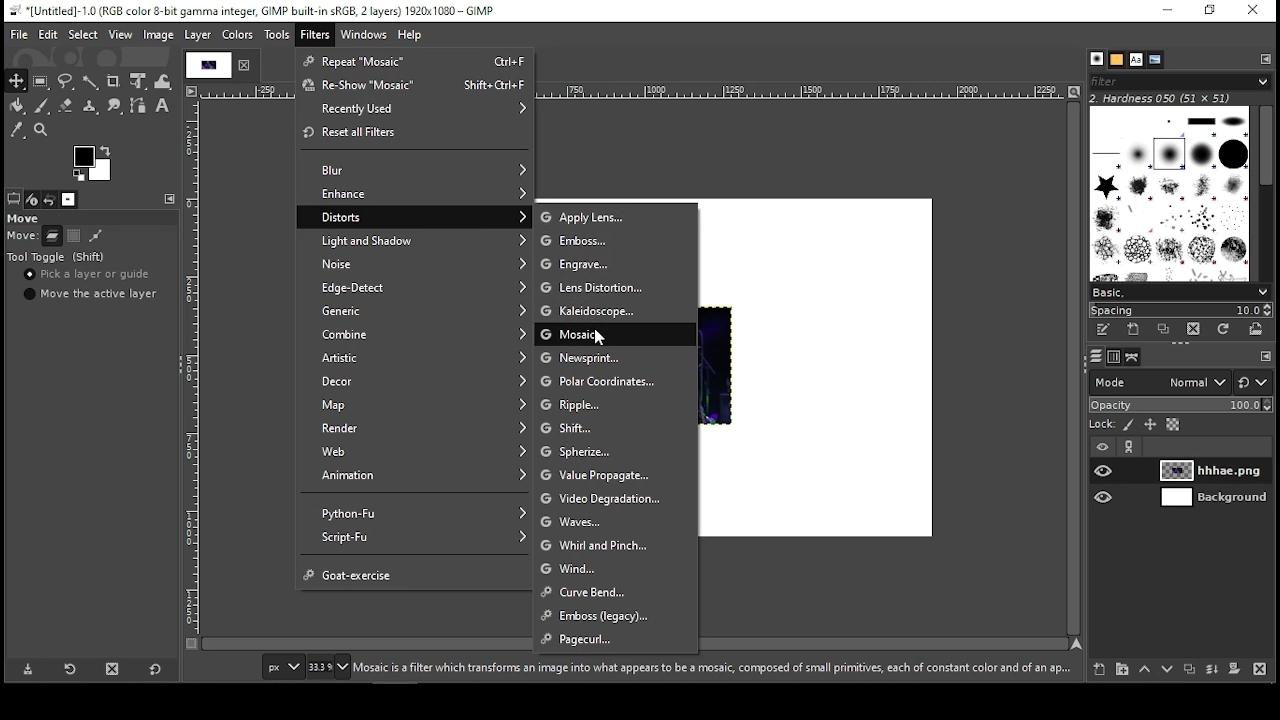 The width and height of the screenshot is (1280, 720). What do you see at coordinates (74, 236) in the screenshot?
I see `move channels` at bounding box center [74, 236].